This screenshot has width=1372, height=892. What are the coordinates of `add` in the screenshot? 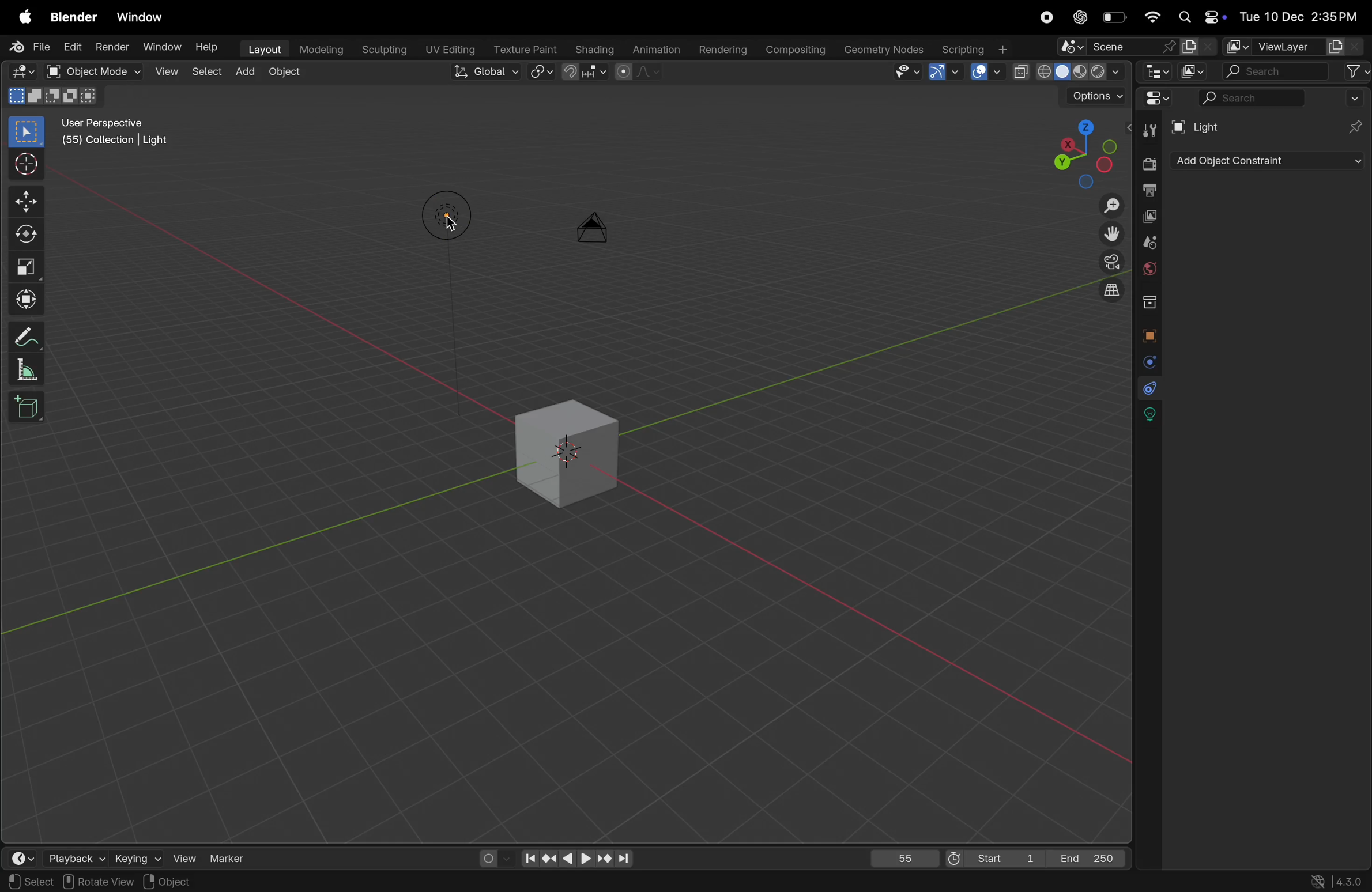 It's located at (247, 73).